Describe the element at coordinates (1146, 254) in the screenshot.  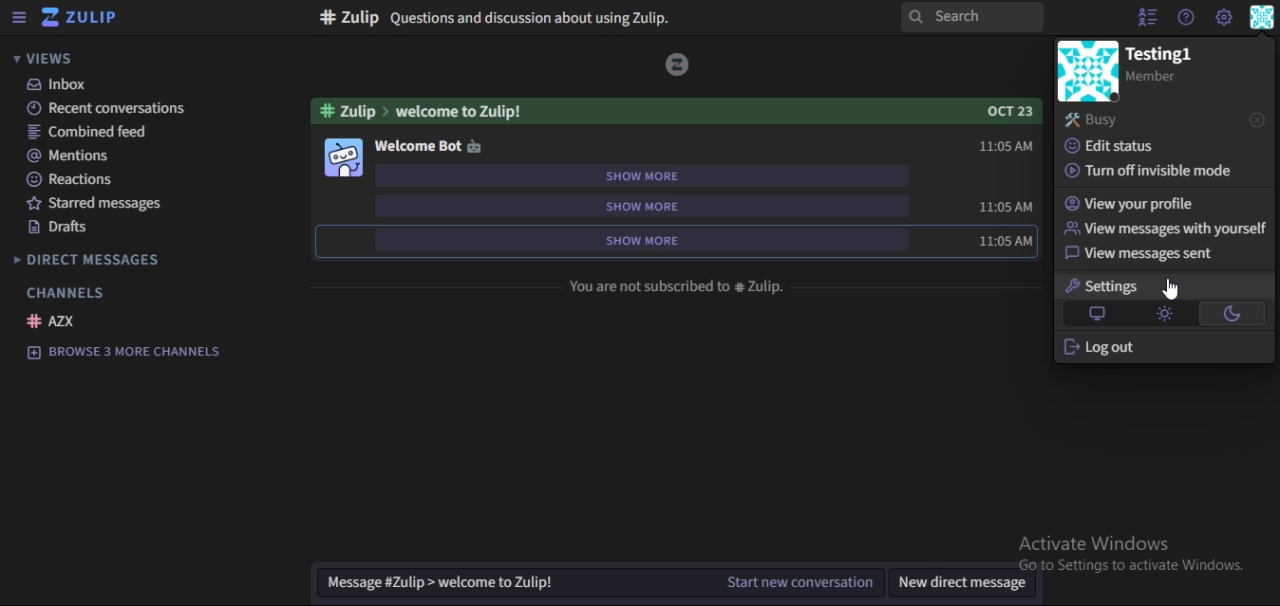
I see `view messages sent` at that location.